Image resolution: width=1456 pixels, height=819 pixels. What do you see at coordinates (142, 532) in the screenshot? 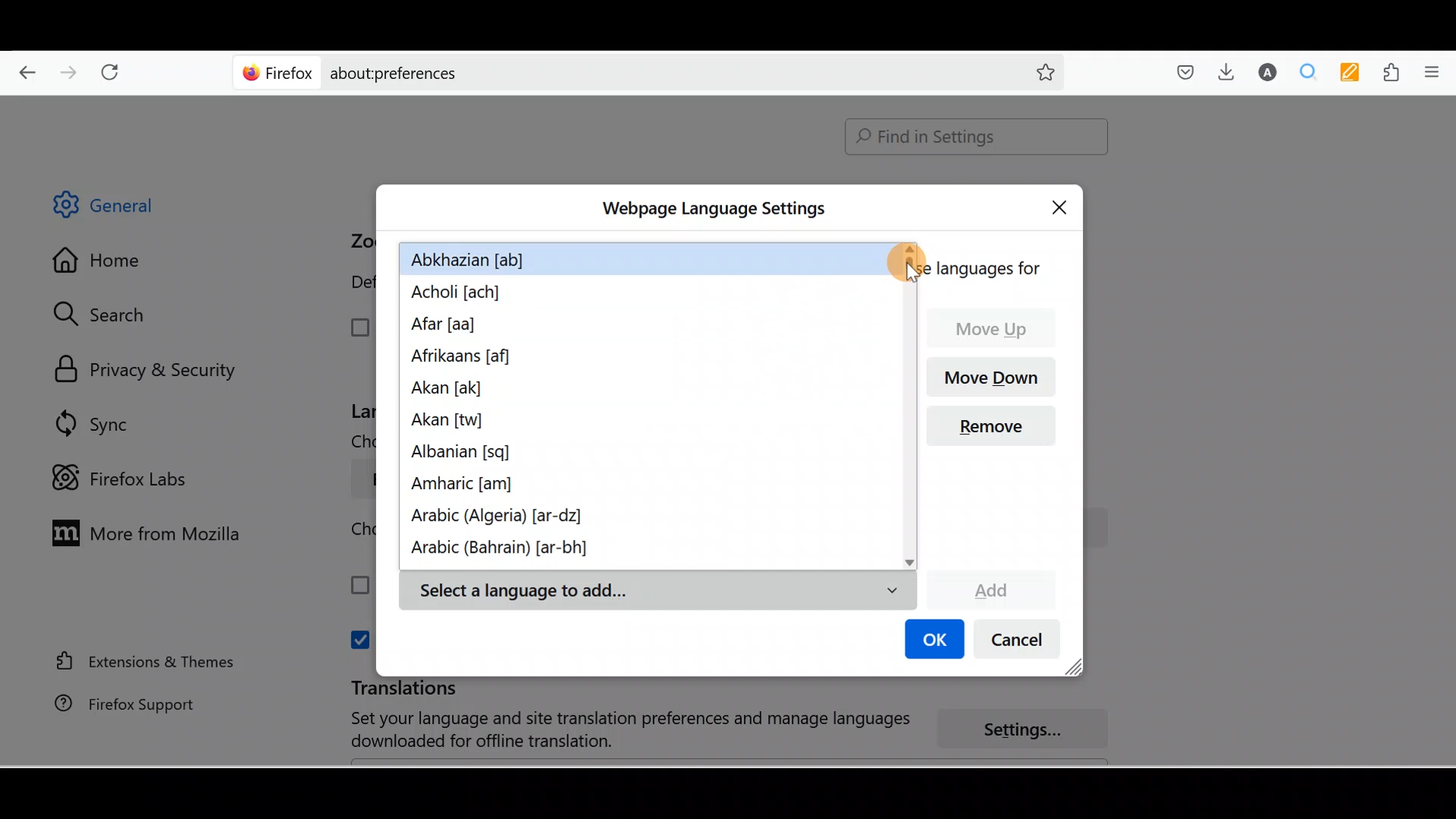
I see `More from Mozilla` at bounding box center [142, 532].